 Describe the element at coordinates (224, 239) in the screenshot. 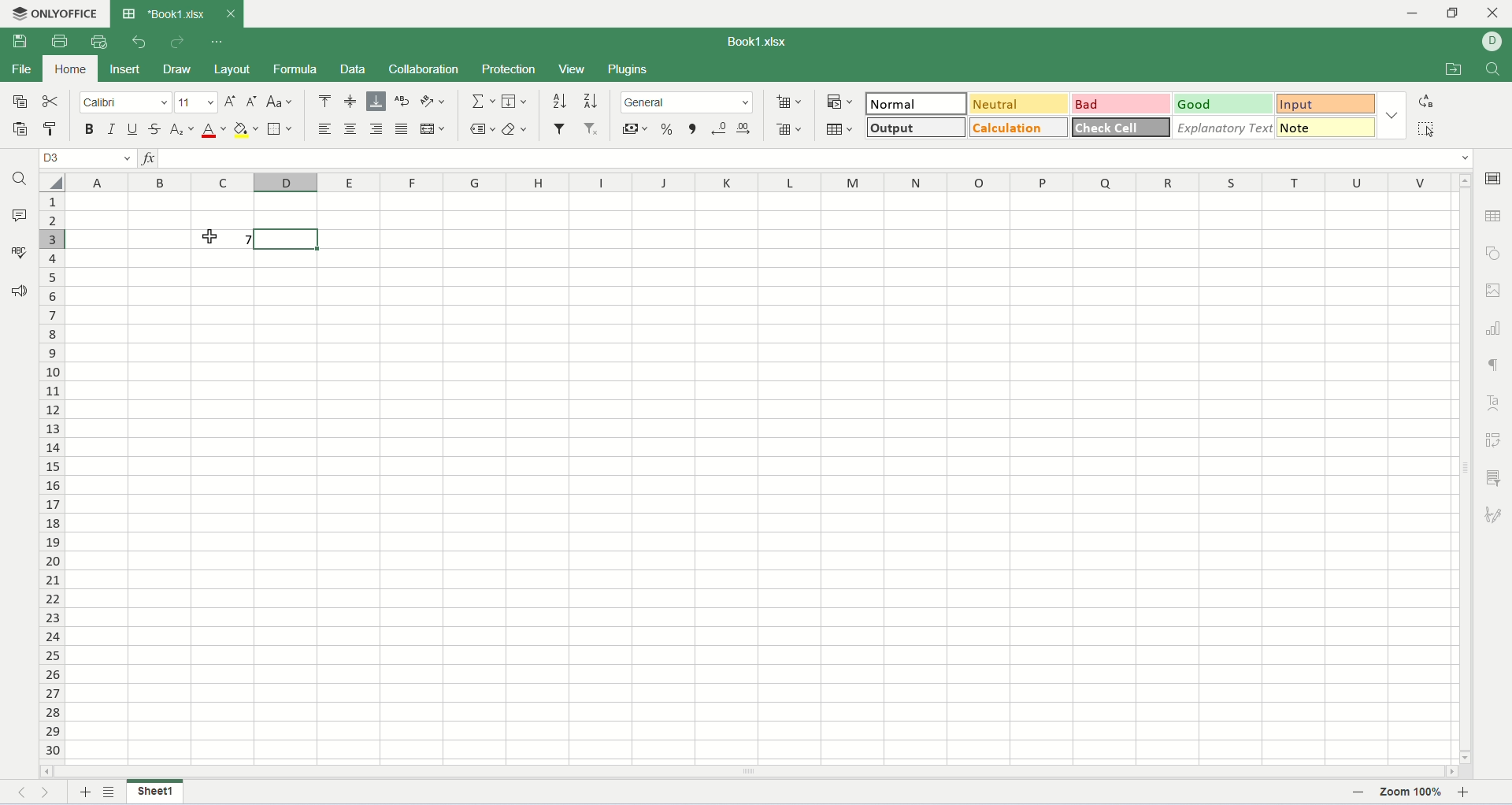

I see `text` at that location.